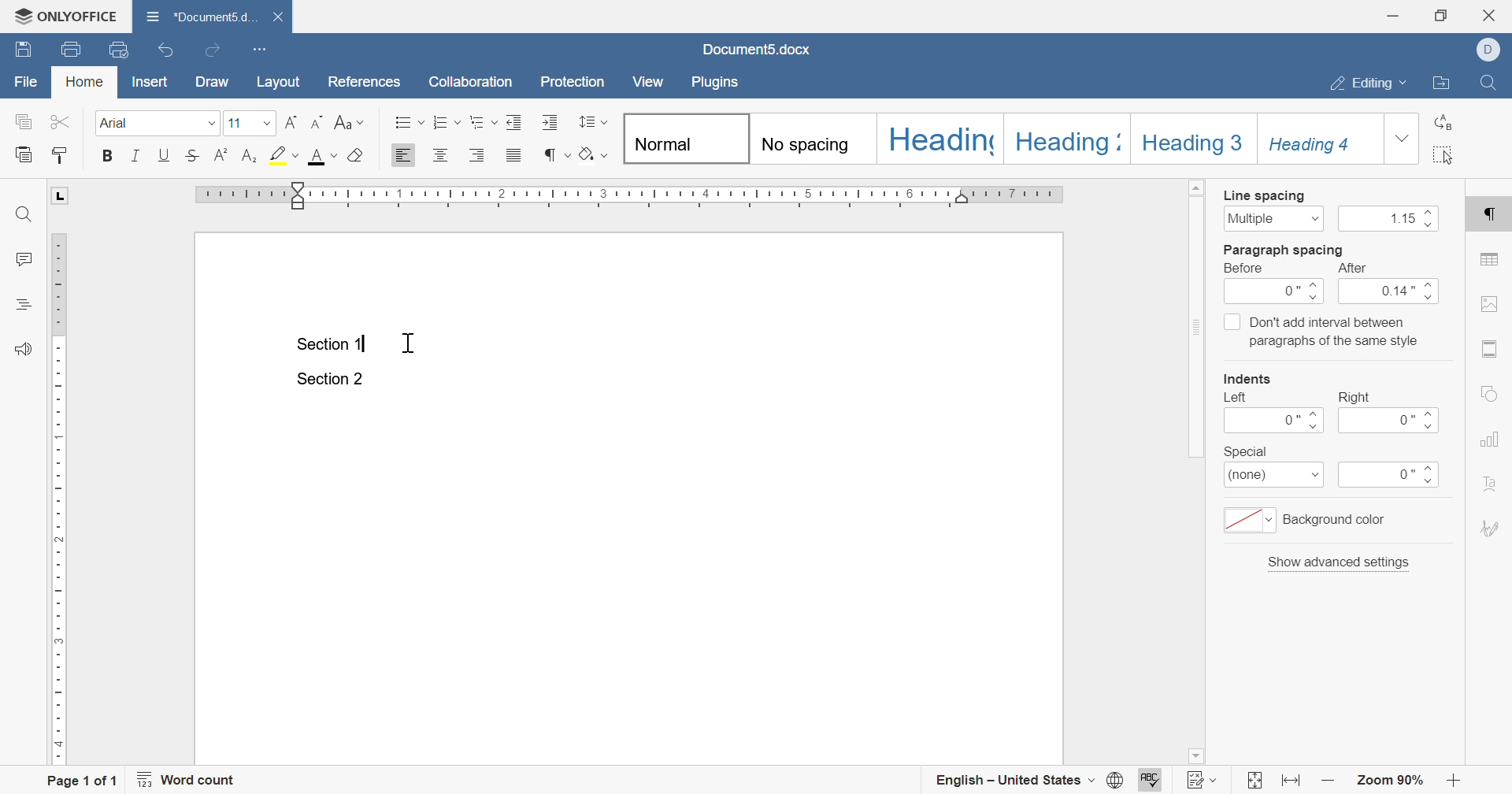 The height and width of the screenshot is (794, 1512). I want to click on close, so click(1492, 15).